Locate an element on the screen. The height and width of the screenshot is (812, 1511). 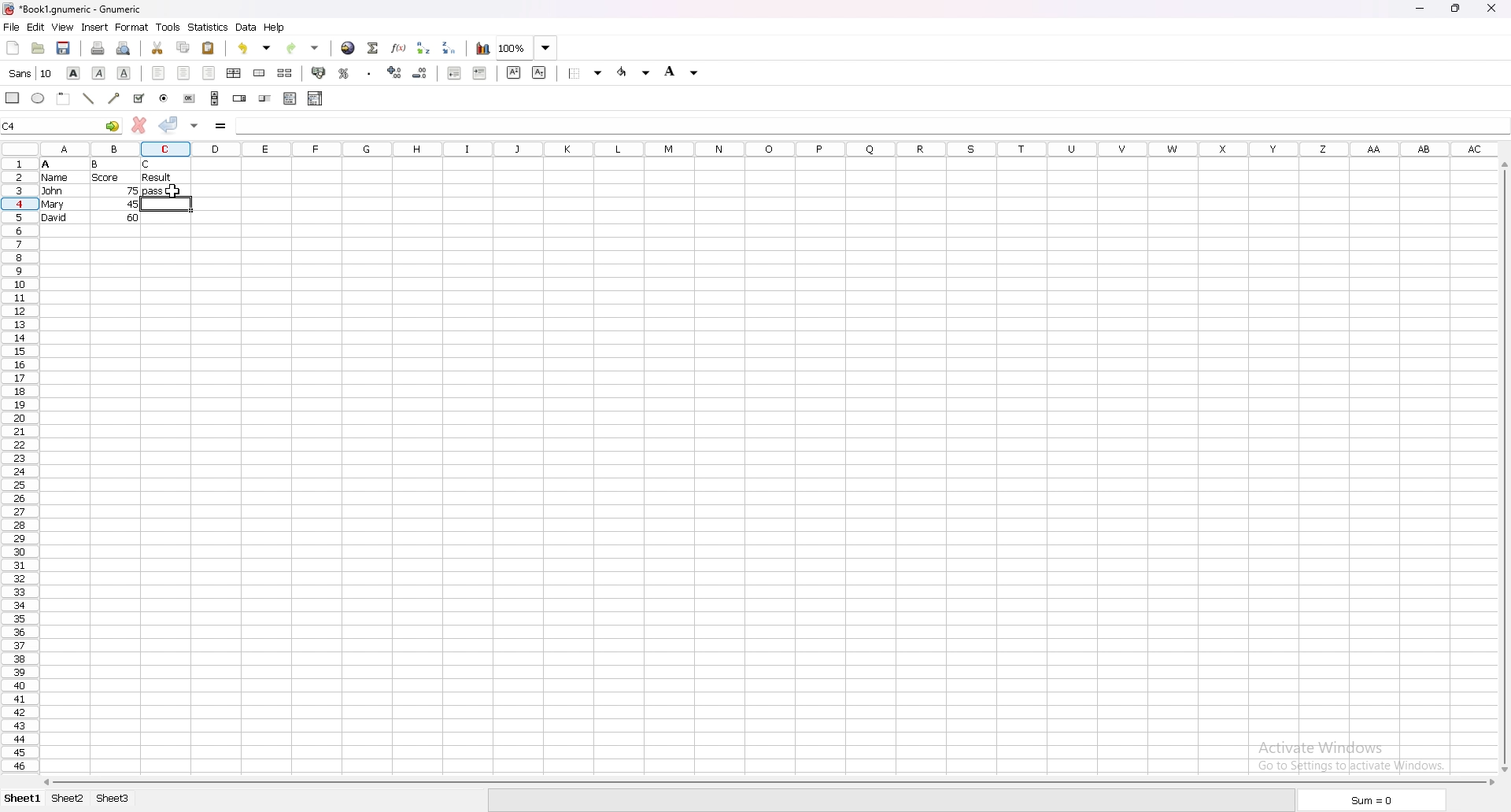
c is located at coordinates (148, 164).